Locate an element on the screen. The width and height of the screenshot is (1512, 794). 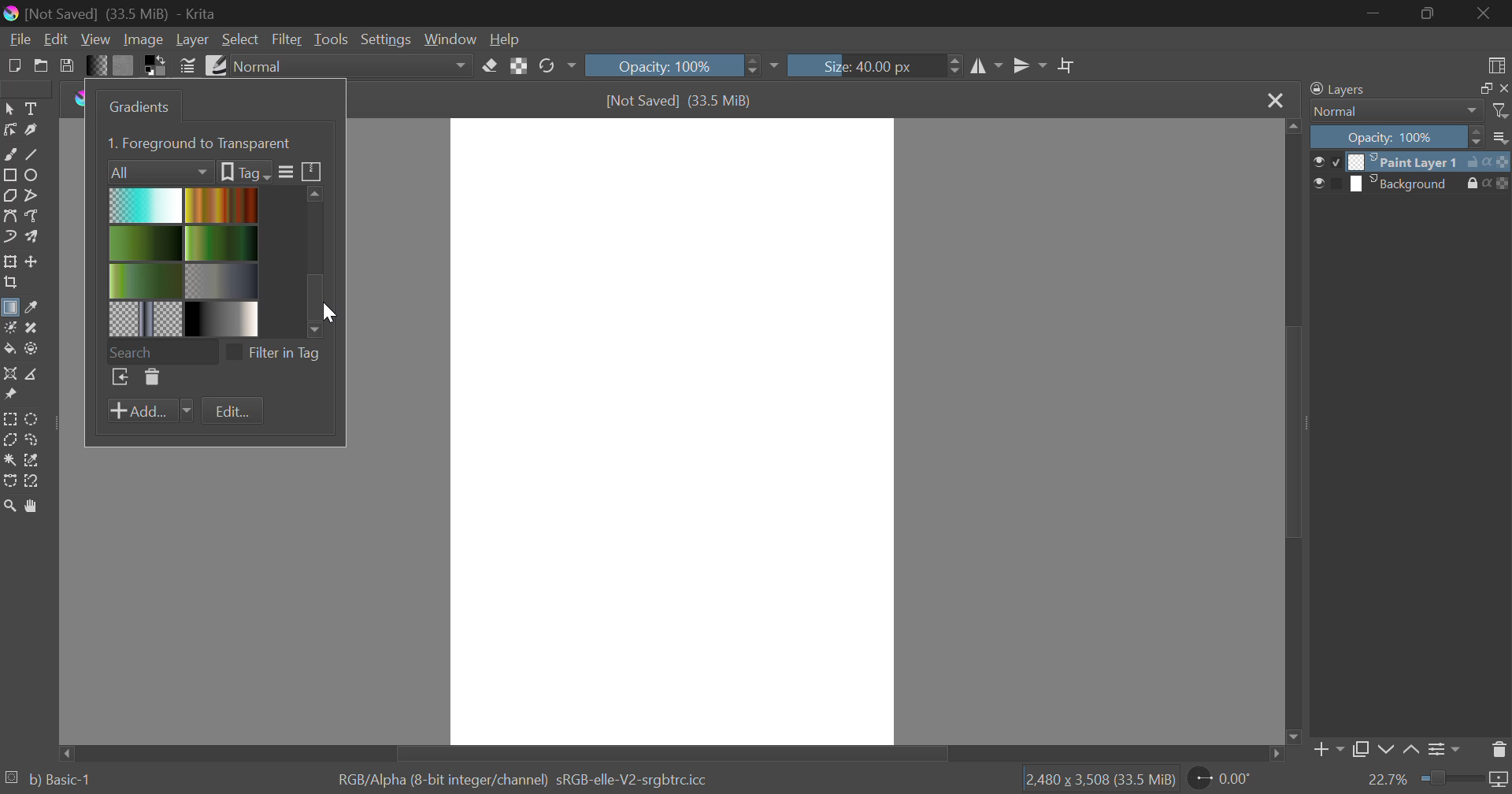
Select is located at coordinates (240, 39).